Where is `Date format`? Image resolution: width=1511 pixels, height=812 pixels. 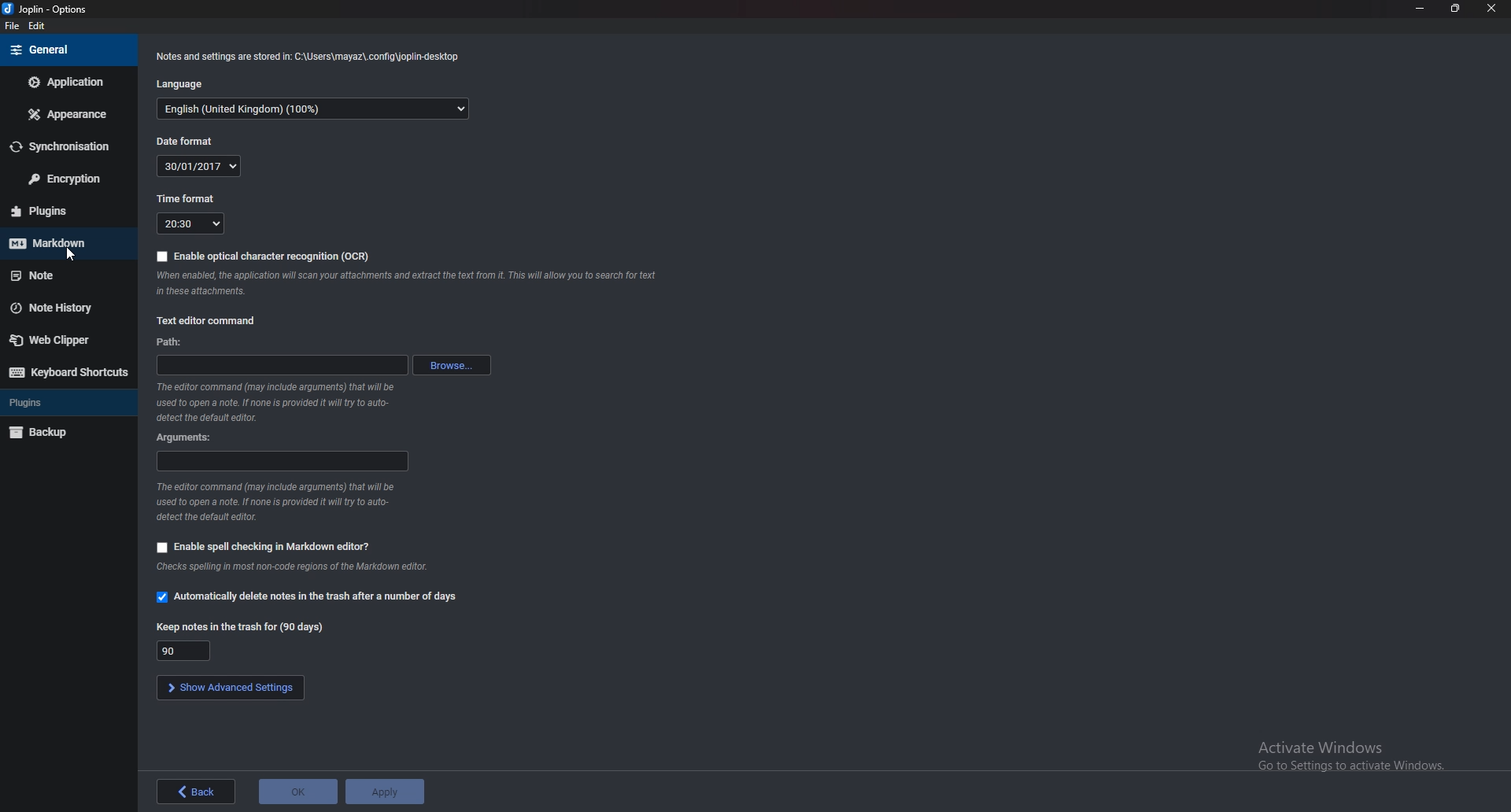
Date format is located at coordinates (190, 141).